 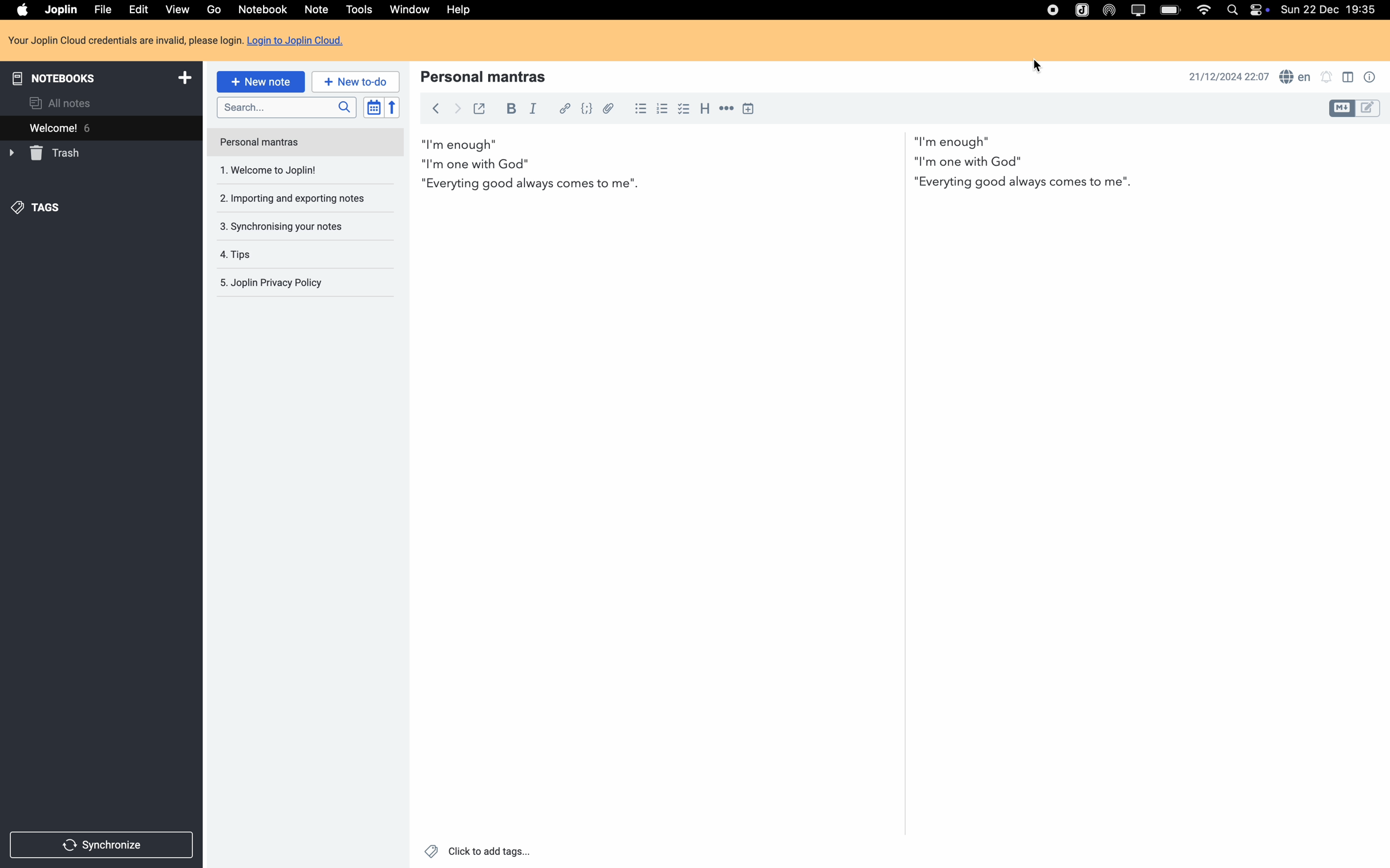 What do you see at coordinates (37, 207) in the screenshot?
I see `tags` at bounding box center [37, 207].